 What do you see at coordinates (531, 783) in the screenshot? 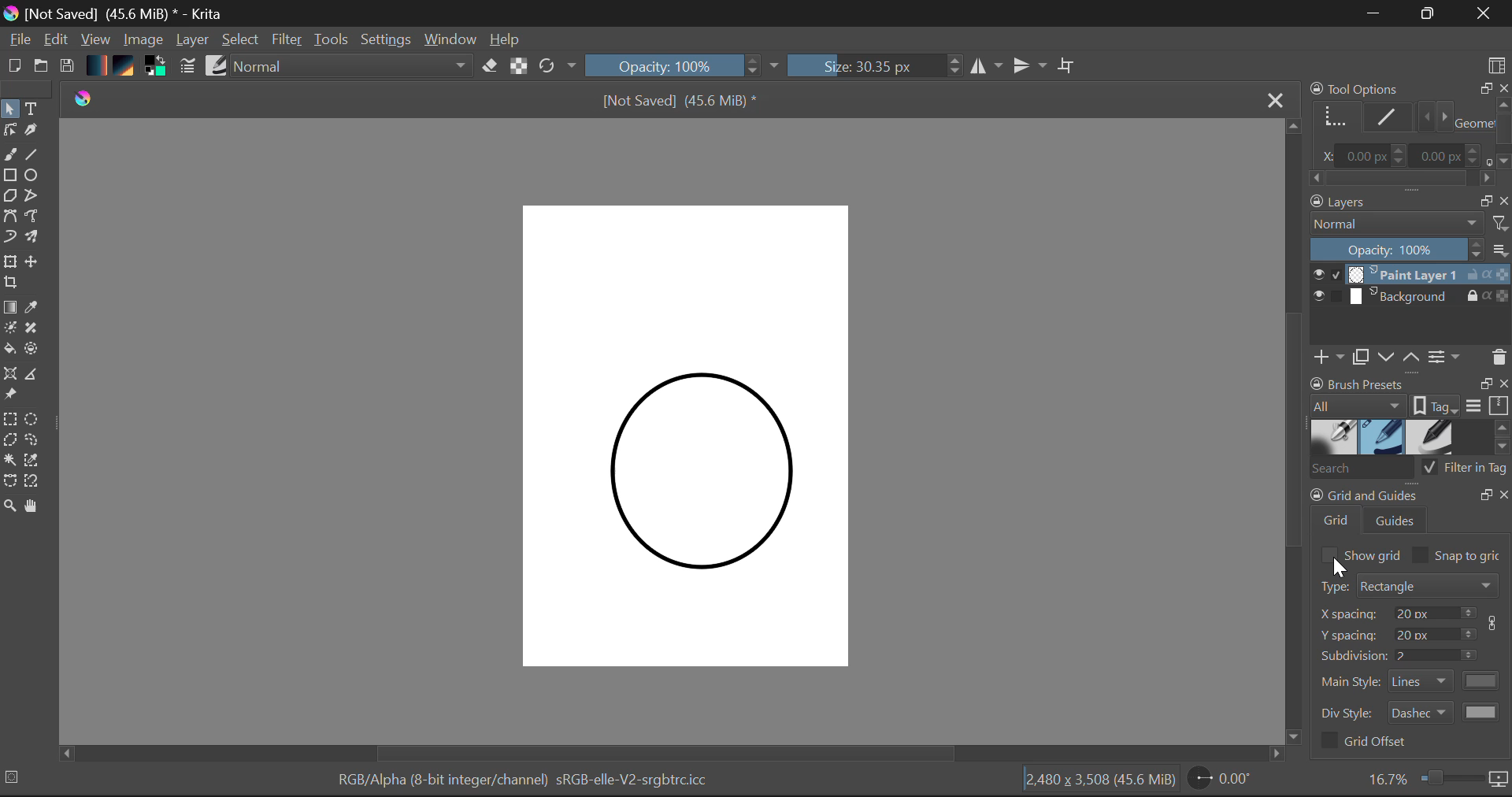
I see `Color Information` at bounding box center [531, 783].